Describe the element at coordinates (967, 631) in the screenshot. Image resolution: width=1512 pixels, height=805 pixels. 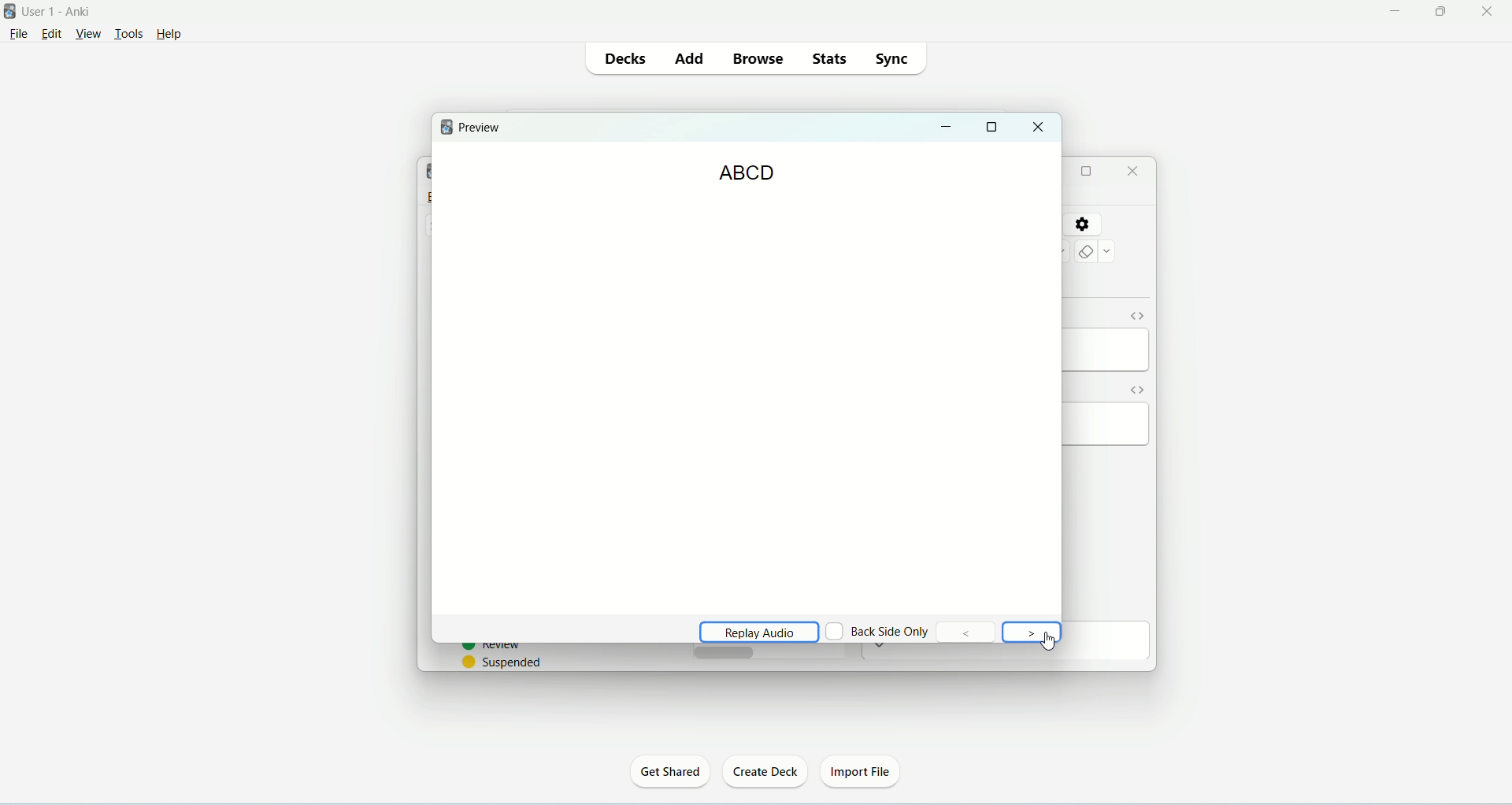
I see `previous` at that location.